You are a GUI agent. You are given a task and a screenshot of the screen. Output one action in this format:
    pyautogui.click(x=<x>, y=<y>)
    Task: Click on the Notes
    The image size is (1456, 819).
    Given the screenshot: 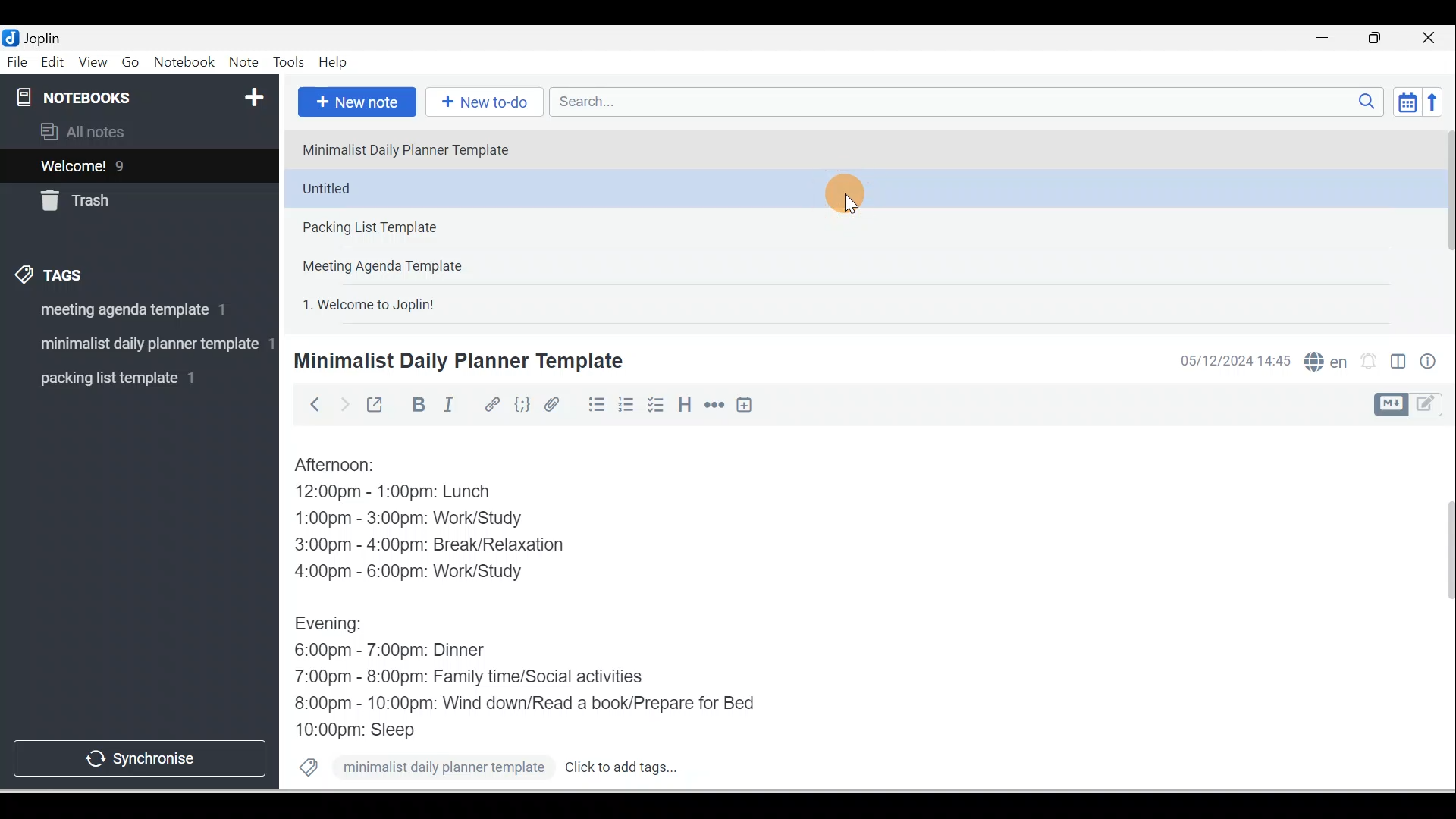 What is the action you would take?
    pyautogui.click(x=128, y=162)
    